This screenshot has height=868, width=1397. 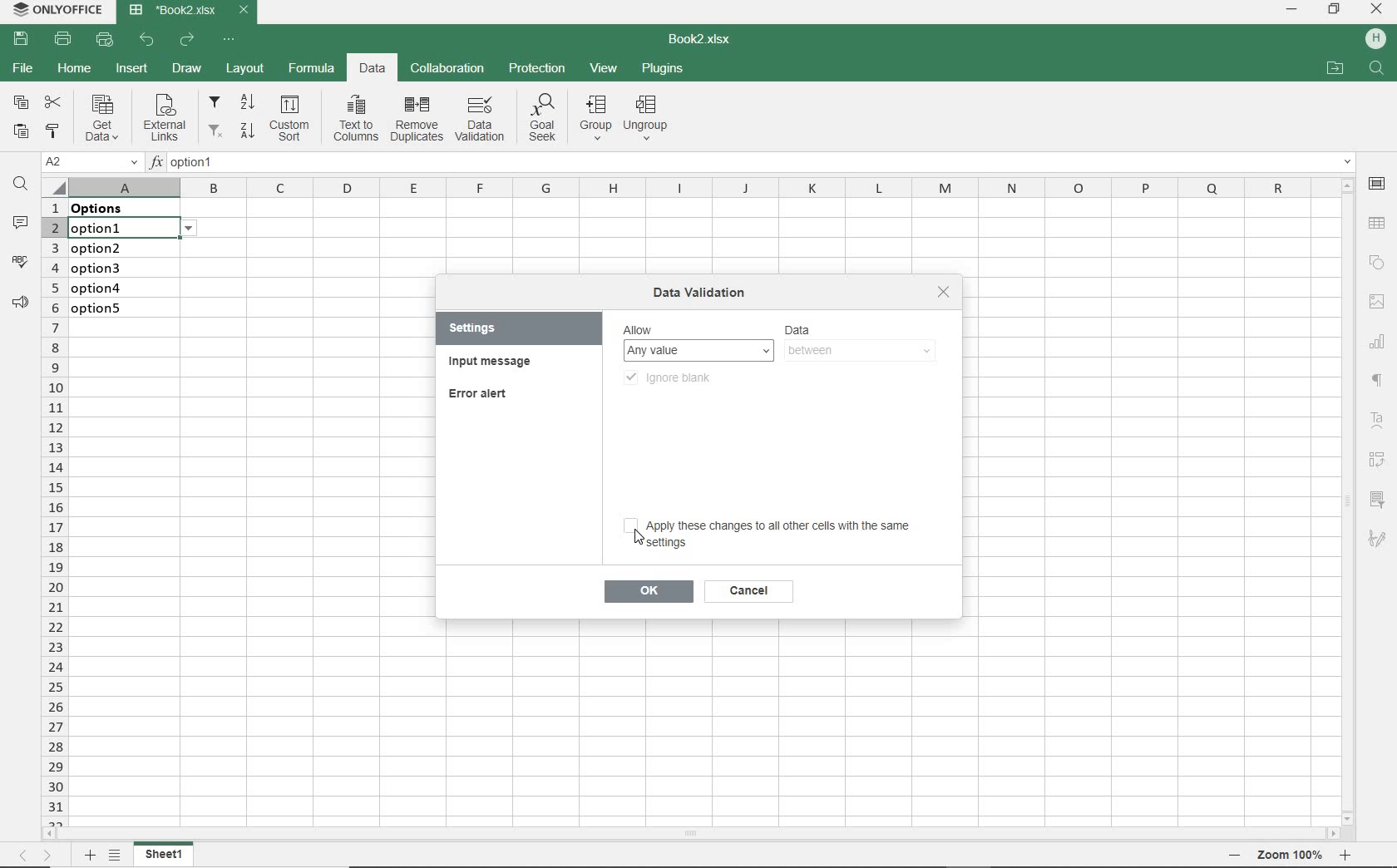 I want to click on VIEW, so click(x=604, y=68).